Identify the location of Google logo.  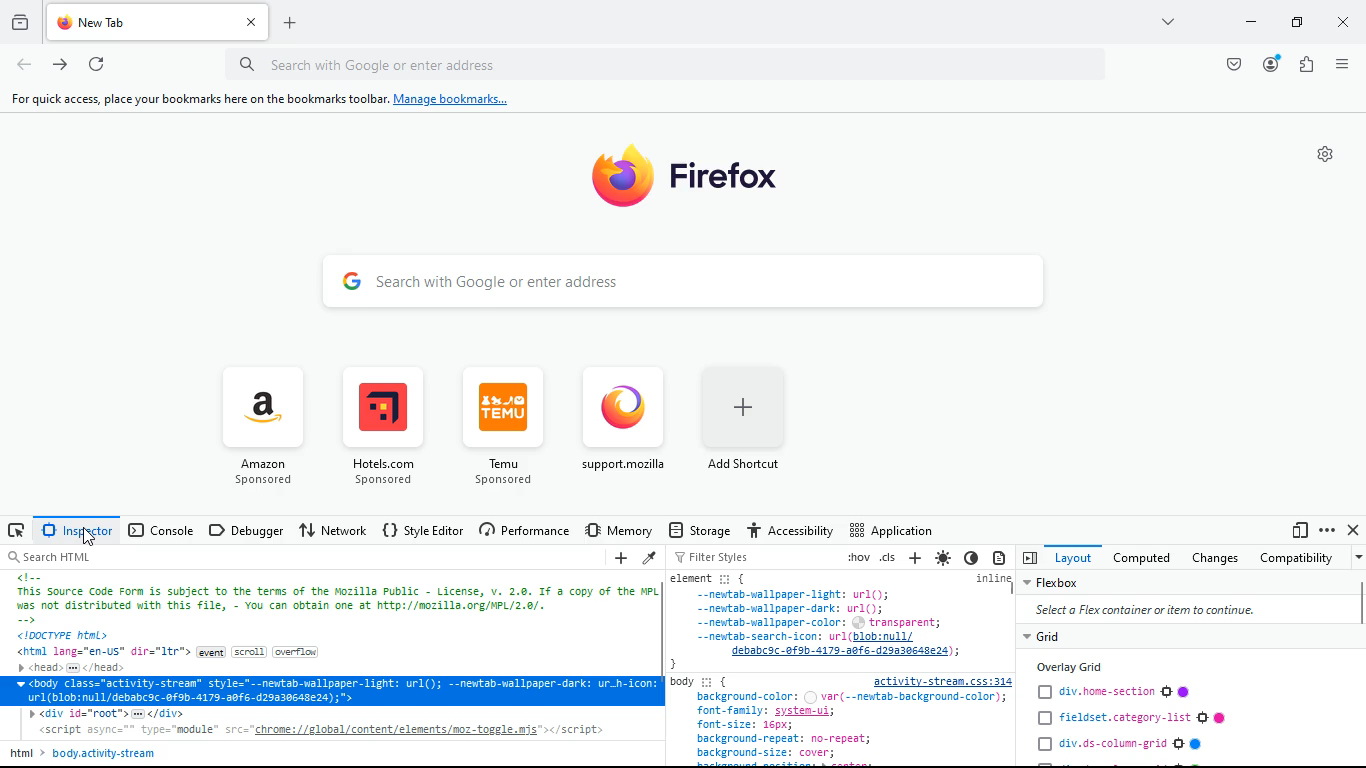
(351, 279).